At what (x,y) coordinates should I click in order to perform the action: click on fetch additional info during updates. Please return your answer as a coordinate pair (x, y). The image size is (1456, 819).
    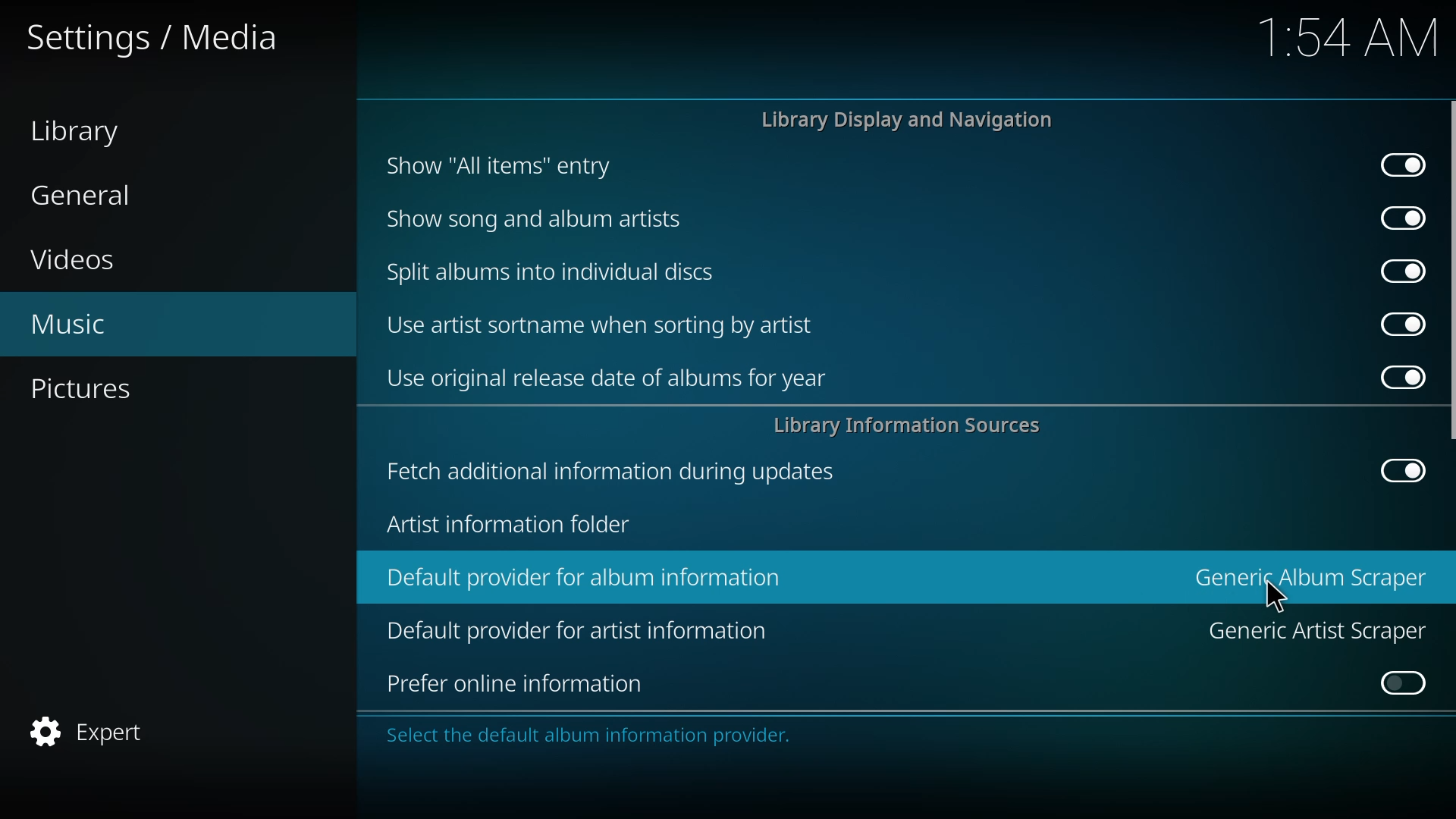
    Looking at the image, I should click on (612, 470).